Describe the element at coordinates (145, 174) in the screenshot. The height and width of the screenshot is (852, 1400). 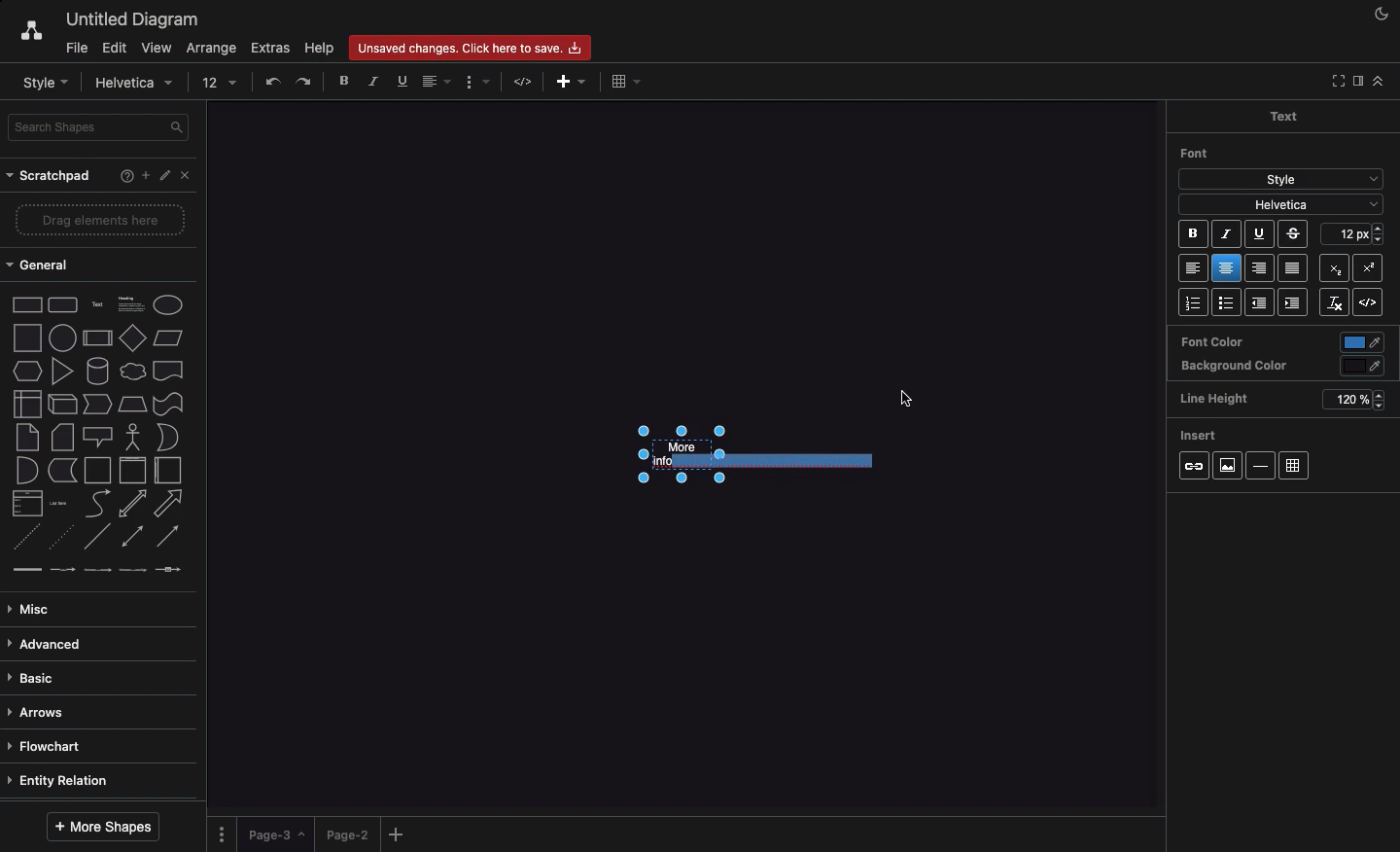
I see `Add` at that location.